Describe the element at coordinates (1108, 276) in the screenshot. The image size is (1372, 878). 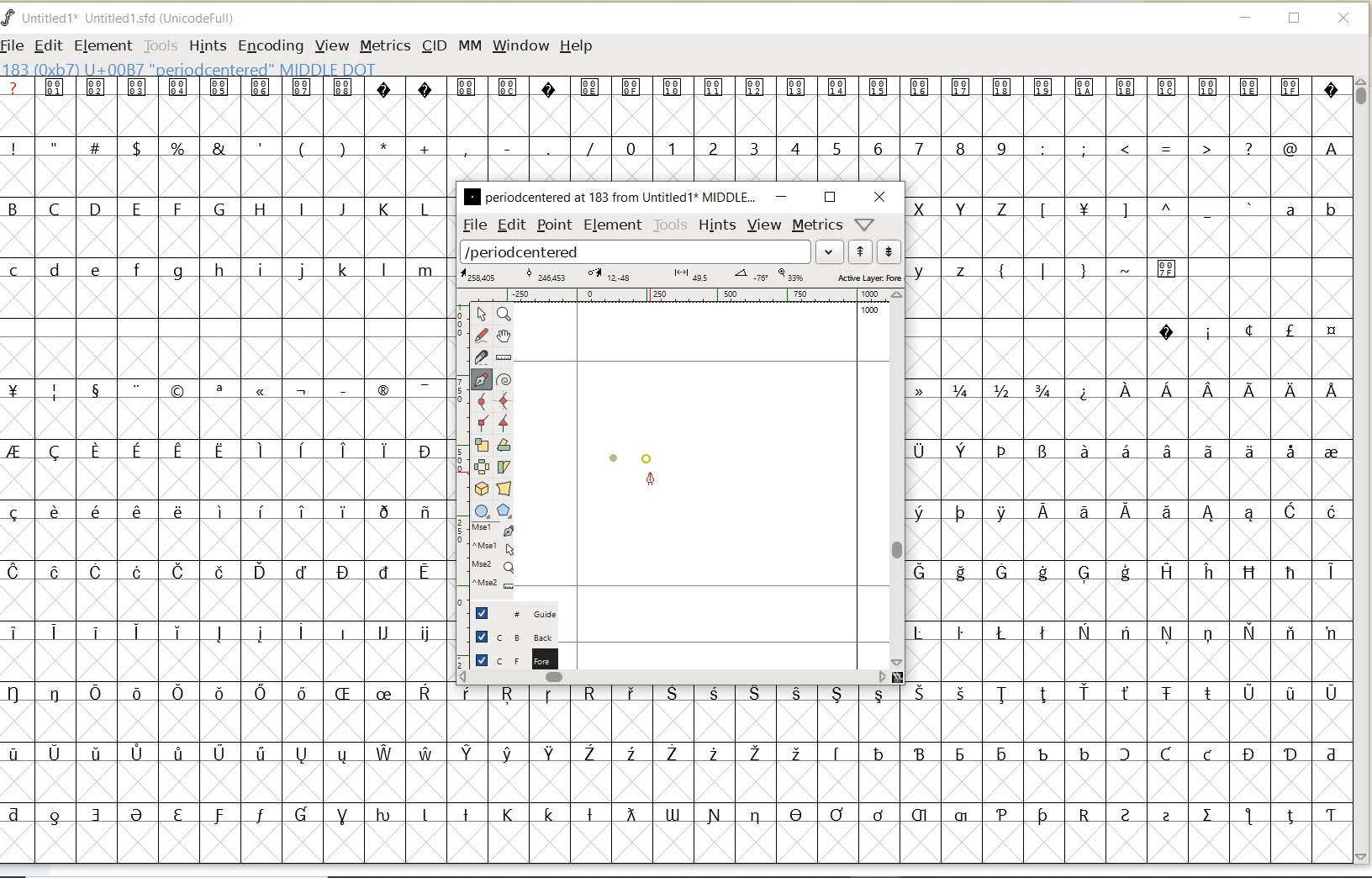
I see `special characters` at that location.